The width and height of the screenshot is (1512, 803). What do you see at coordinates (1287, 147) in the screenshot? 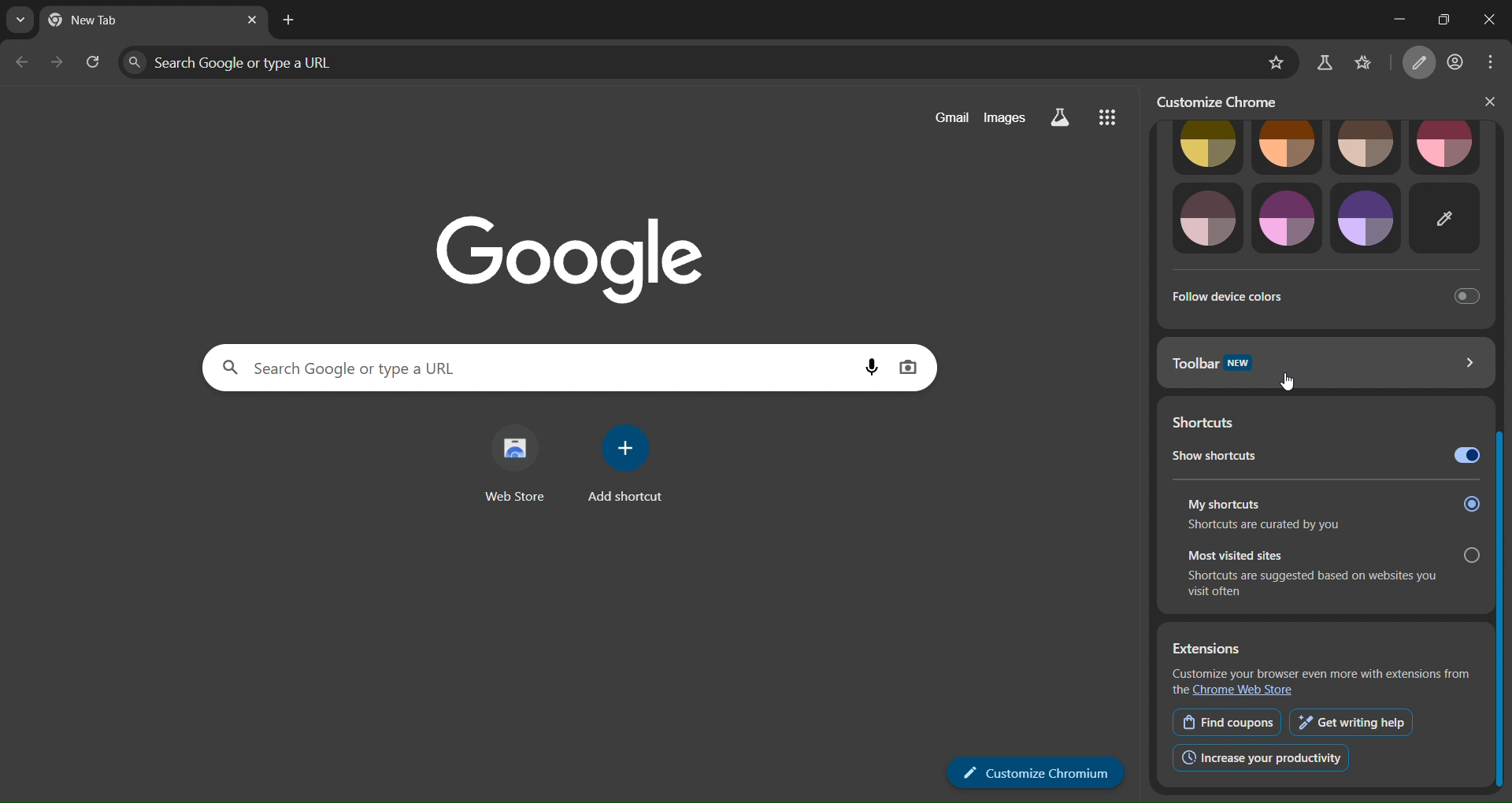
I see `image` at bounding box center [1287, 147].